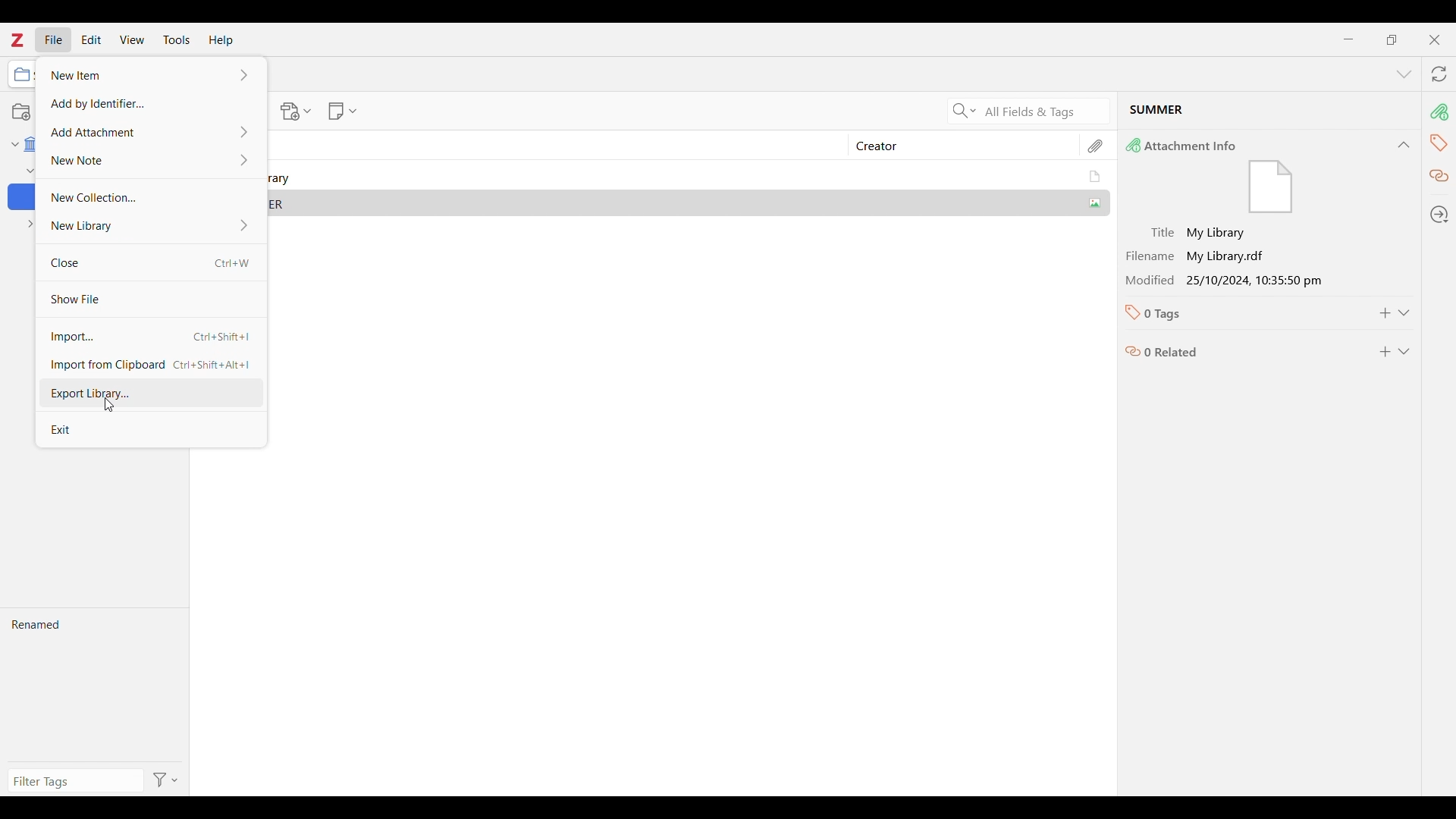 This screenshot has height=819, width=1456. What do you see at coordinates (1404, 313) in the screenshot?
I see `Expand` at bounding box center [1404, 313].